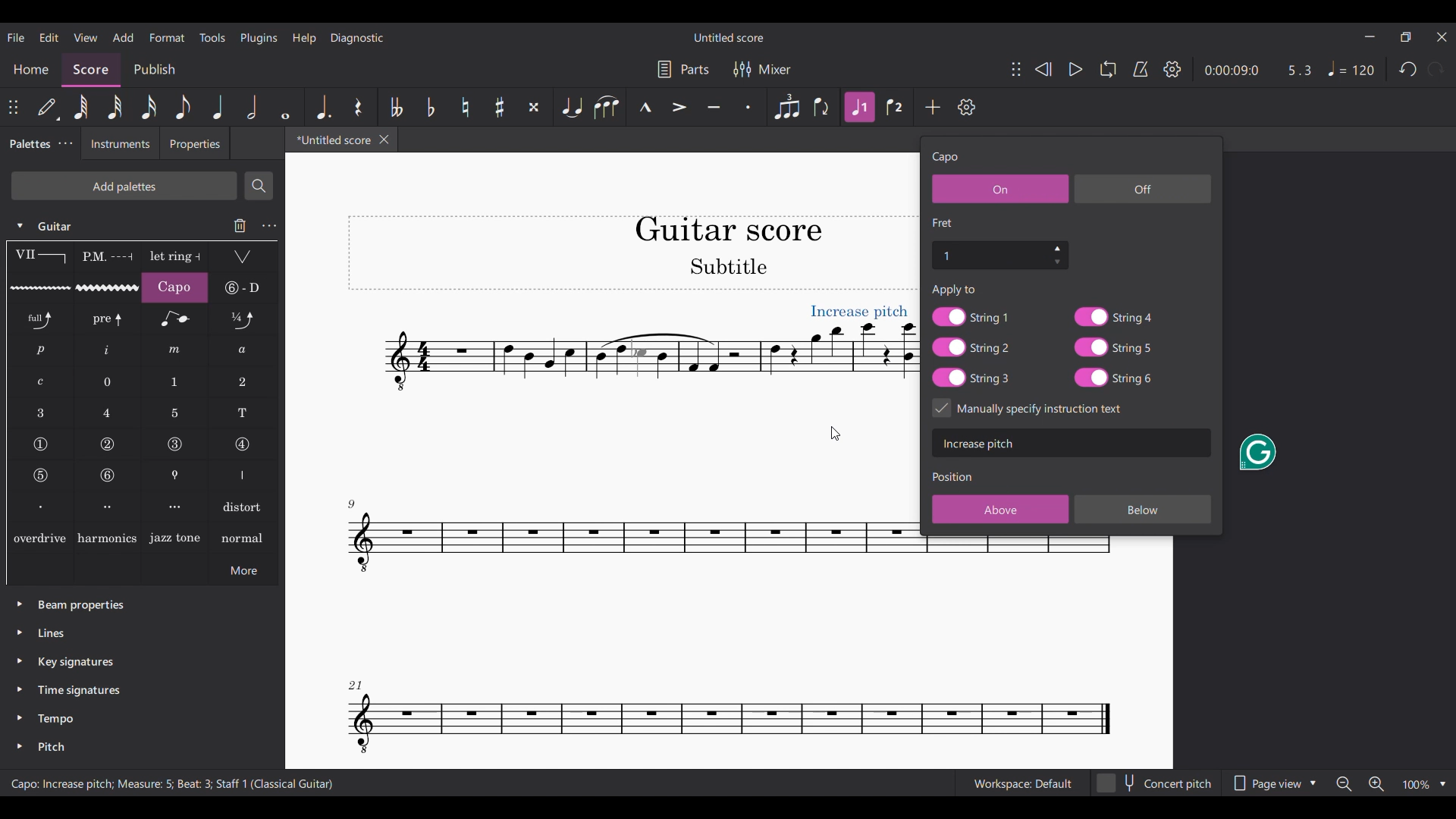 This screenshot has height=819, width=1456. Describe the element at coordinates (762, 69) in the screenshot. I see `Mixer settings` at that location.